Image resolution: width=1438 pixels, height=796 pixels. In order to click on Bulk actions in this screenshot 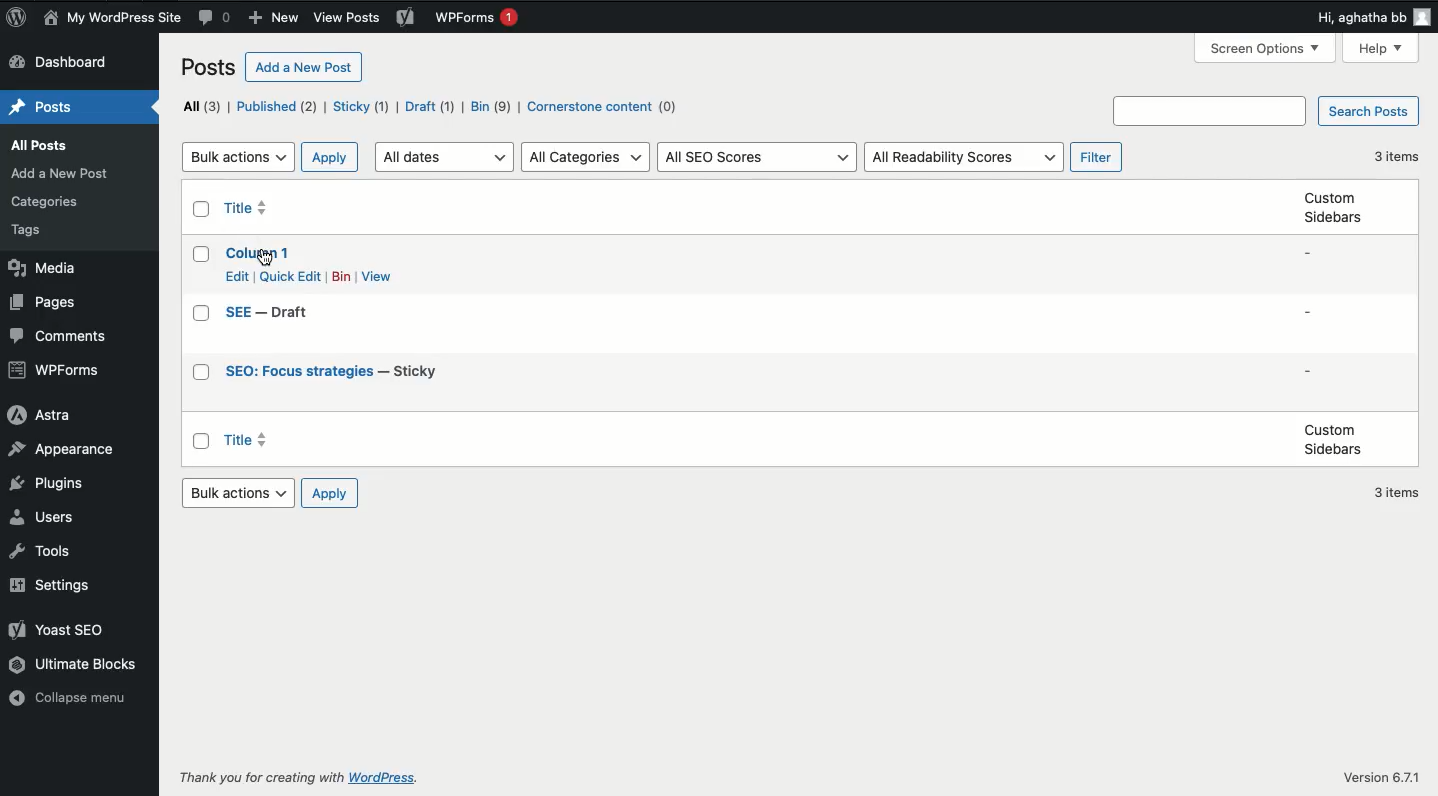, I will do `click(241, 493)`.